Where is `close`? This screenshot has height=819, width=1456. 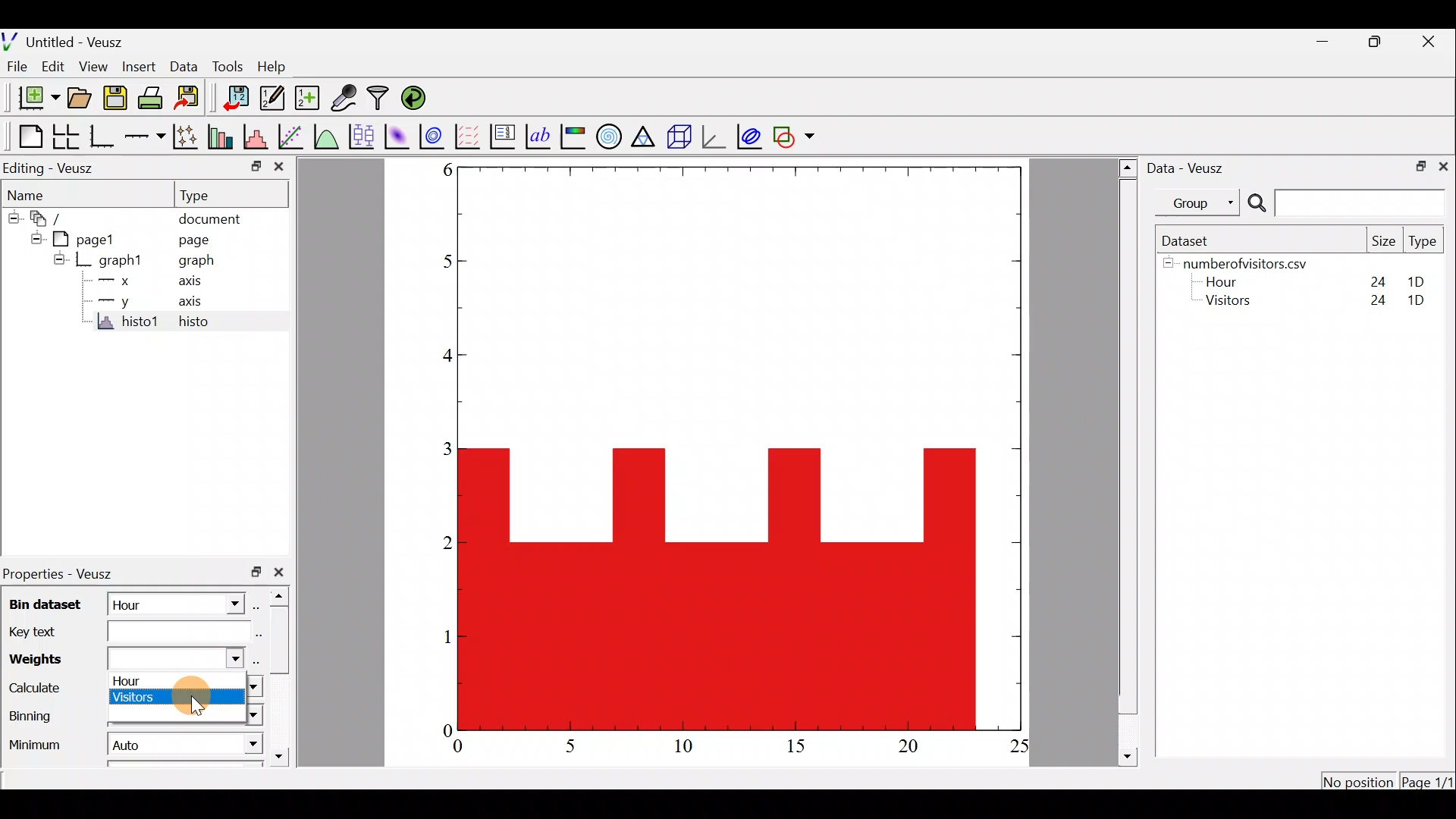 close is located at coordinates (279, 575).